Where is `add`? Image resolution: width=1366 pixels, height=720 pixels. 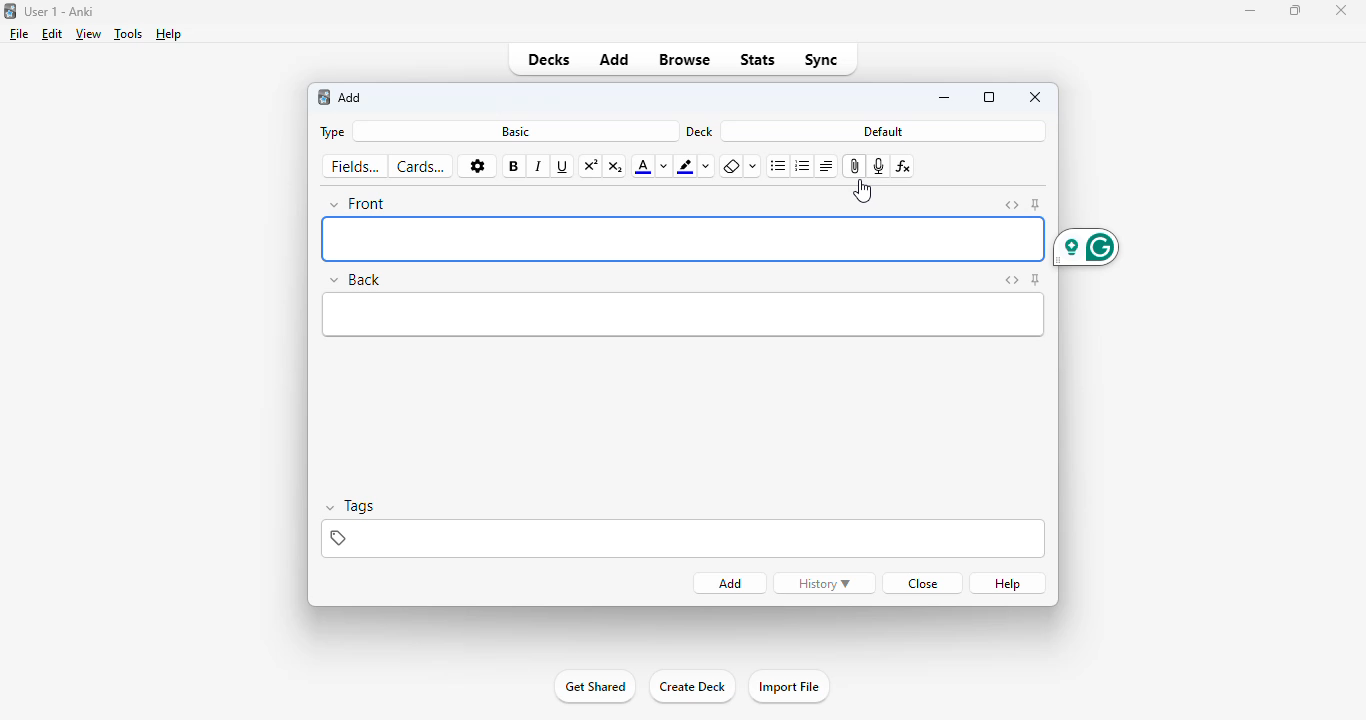
add is located at coordinates (615, 60).